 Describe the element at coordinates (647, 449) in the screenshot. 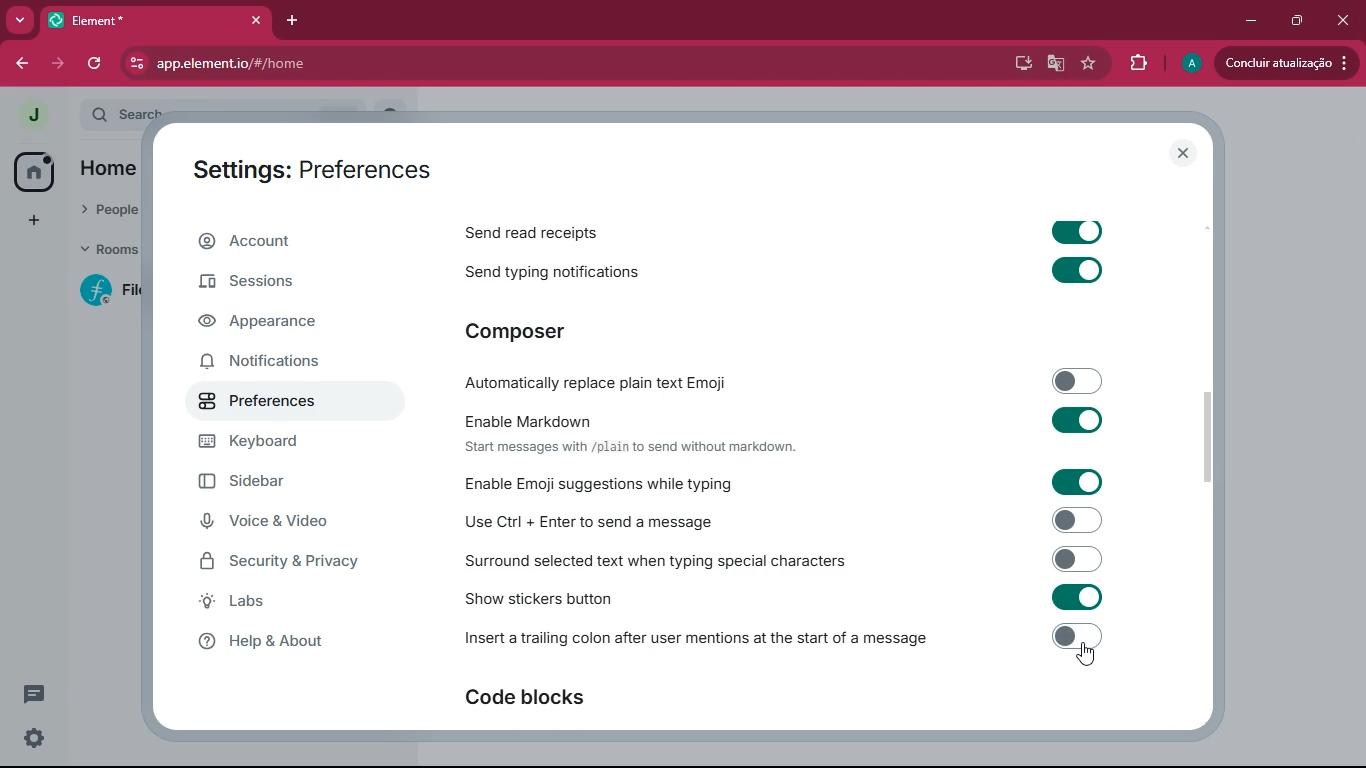

I see `‘Start messages with /plain to send without markdown.` at that location.